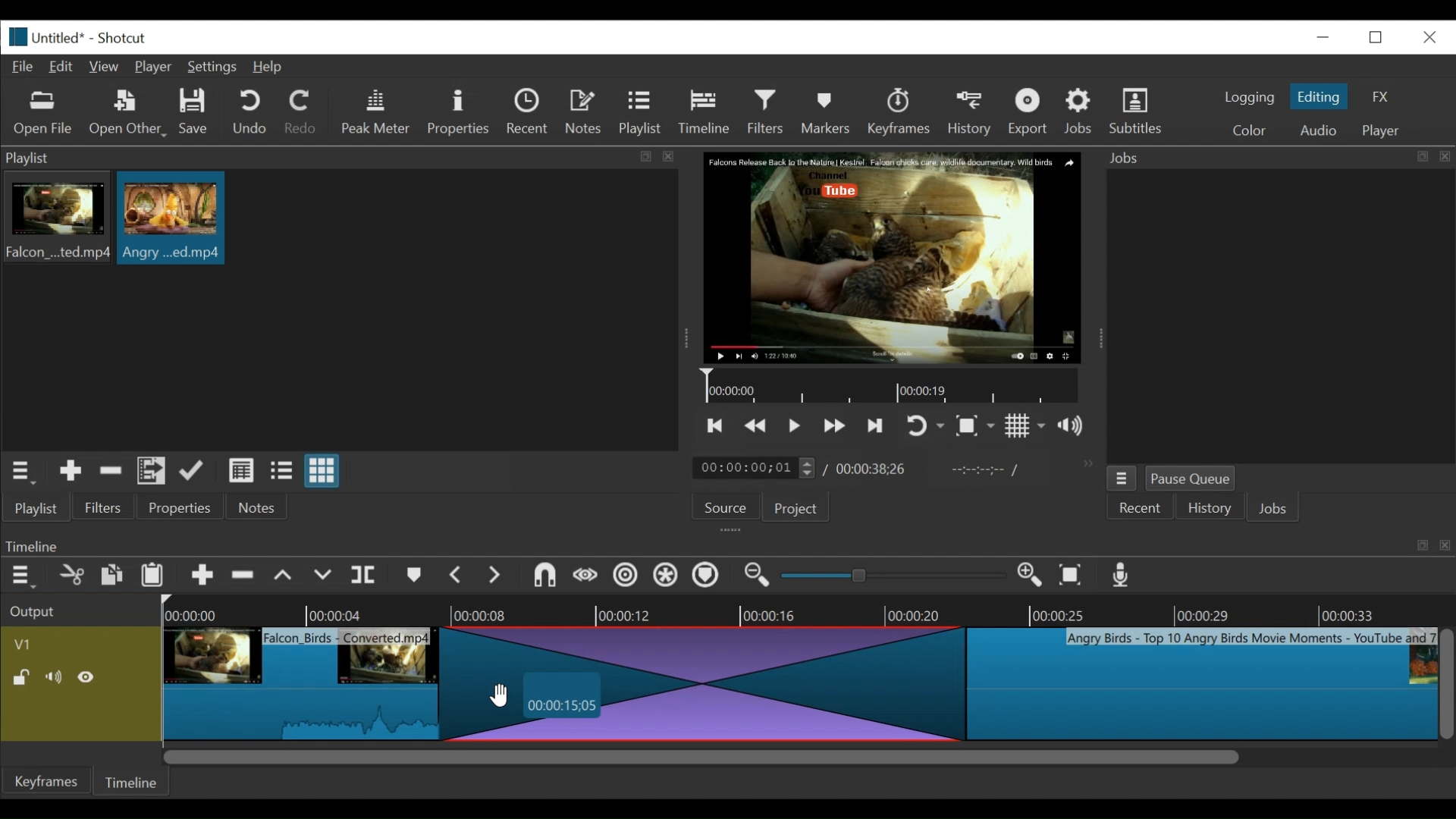 The height and width of the screenshot is (819, 1456). What do you see at coordinates (378, 112) in the screenshot?
I see `Peak Meter` at bounding box center [378, 112].